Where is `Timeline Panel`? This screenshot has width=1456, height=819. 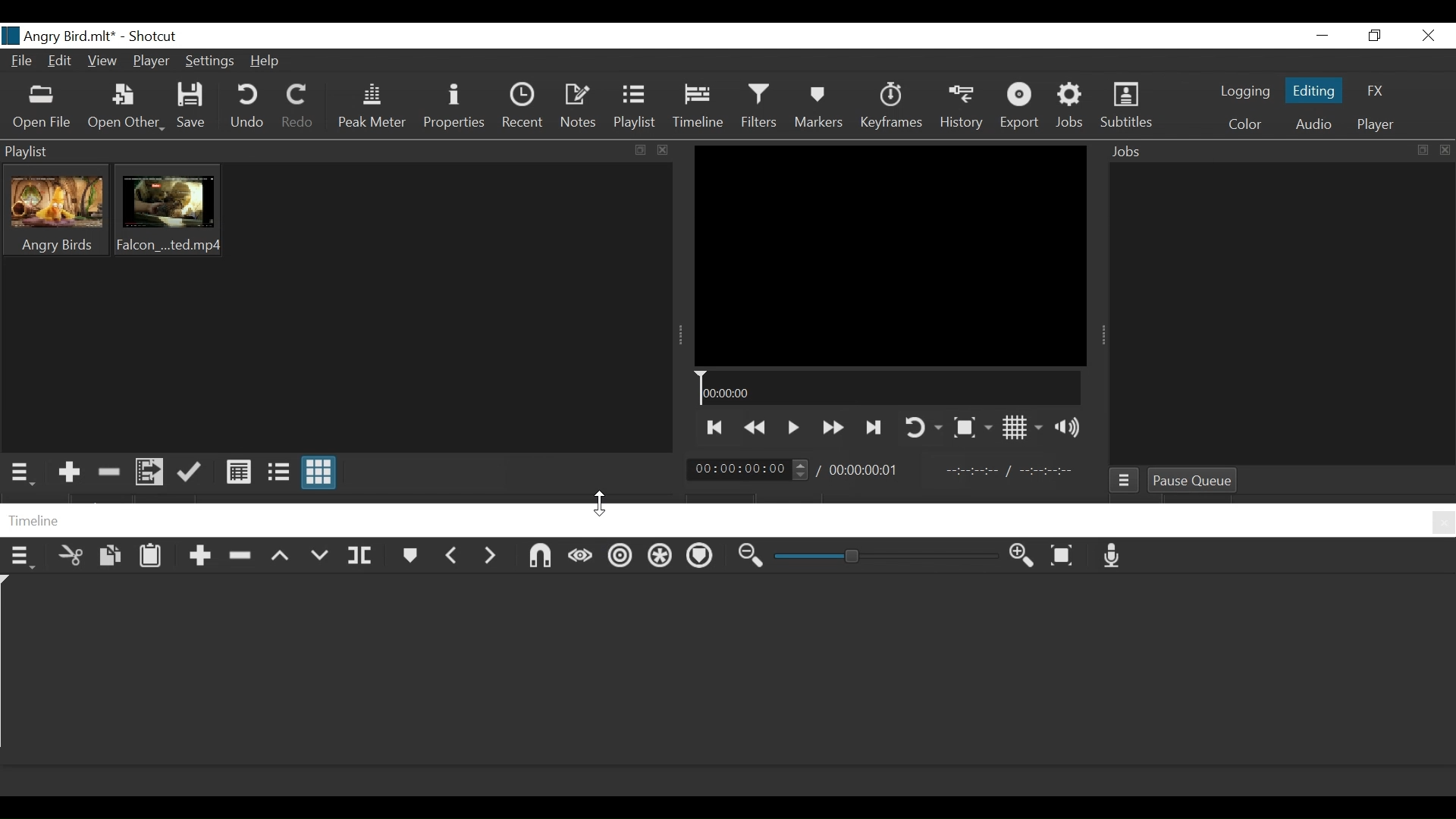
Timeline Panel is located at coordinates (730, 521).